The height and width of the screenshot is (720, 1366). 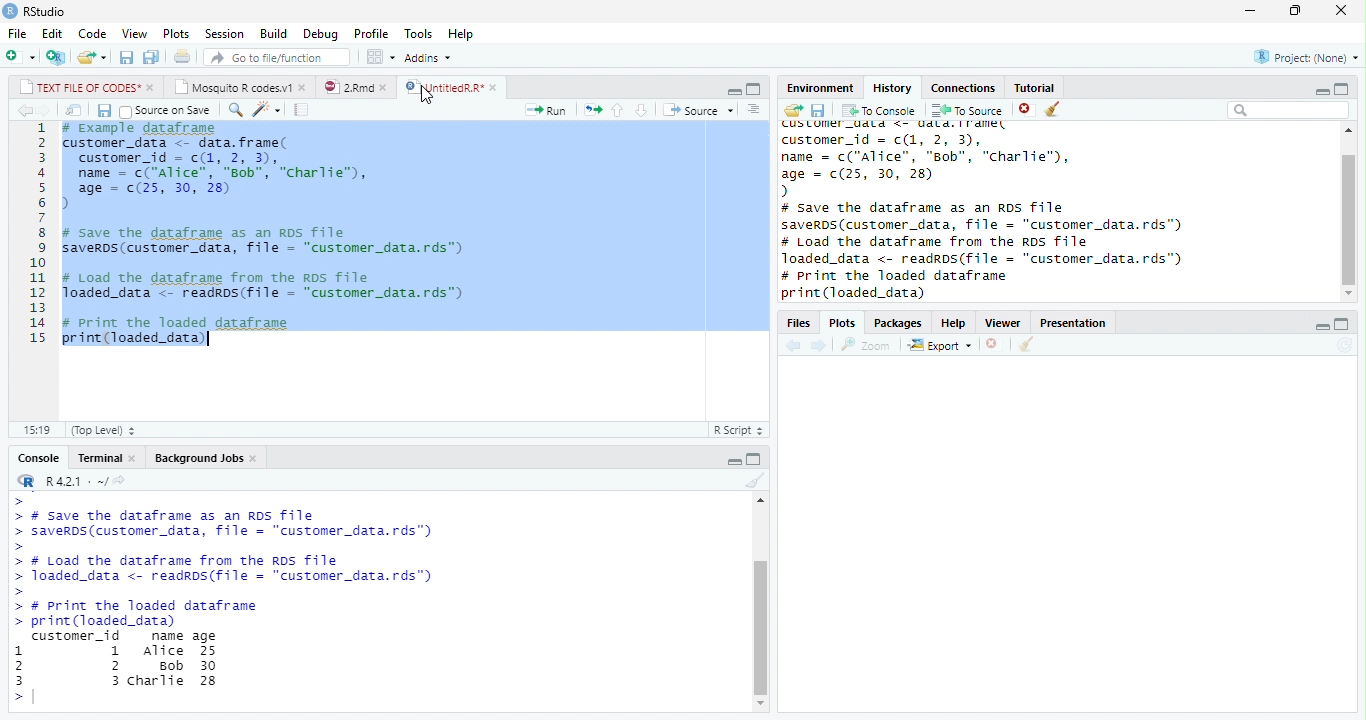 I want to click on close file, so click(x=1028, y=109).